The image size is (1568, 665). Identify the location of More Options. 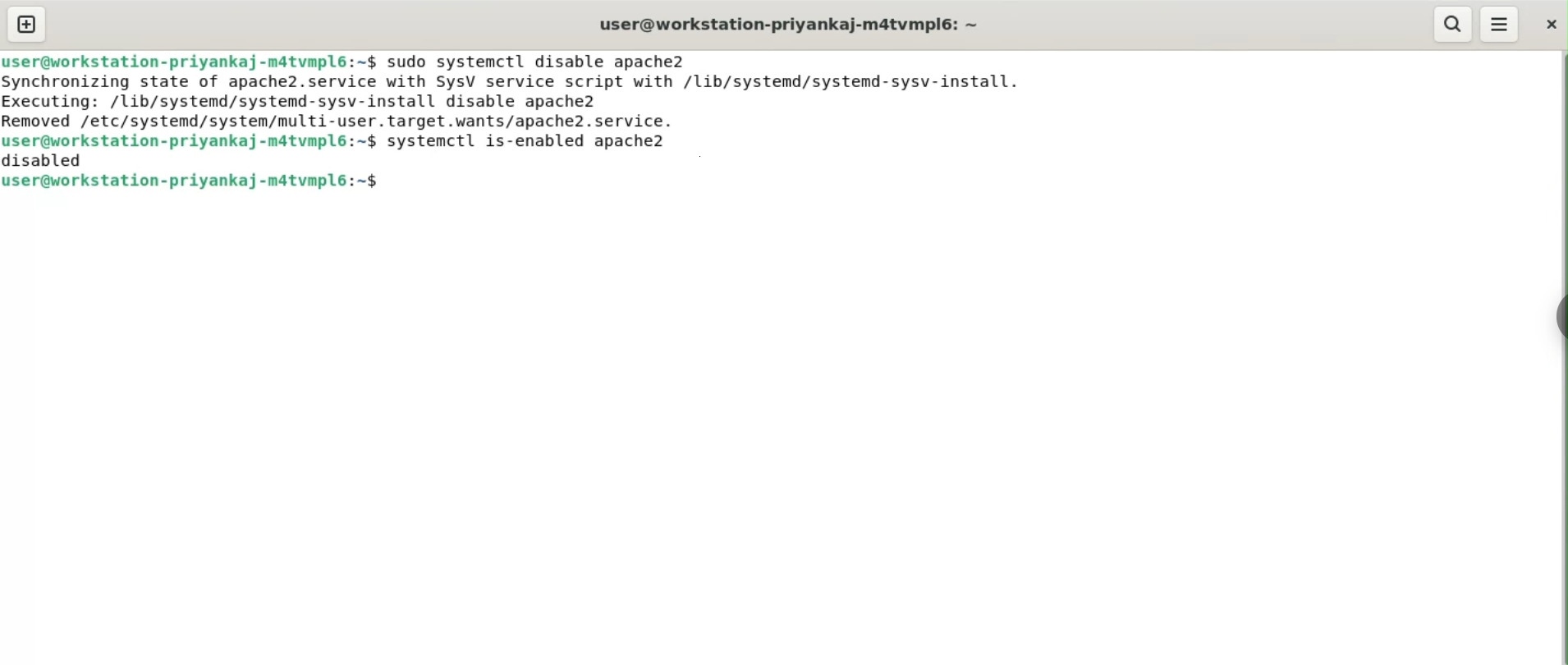
(1504, 23).